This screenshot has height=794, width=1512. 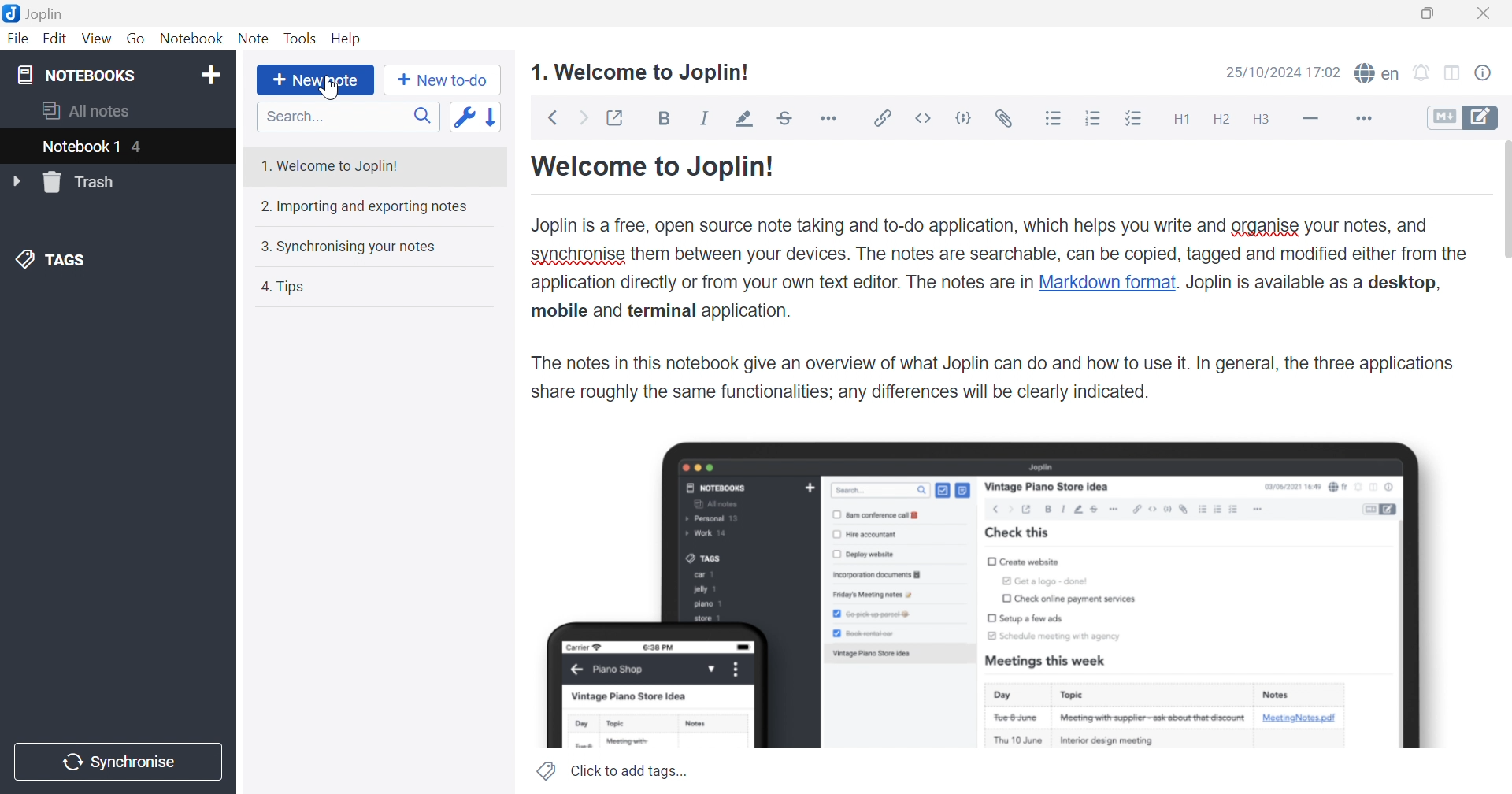 I want to click on Close, so click(x=1489, y=13).